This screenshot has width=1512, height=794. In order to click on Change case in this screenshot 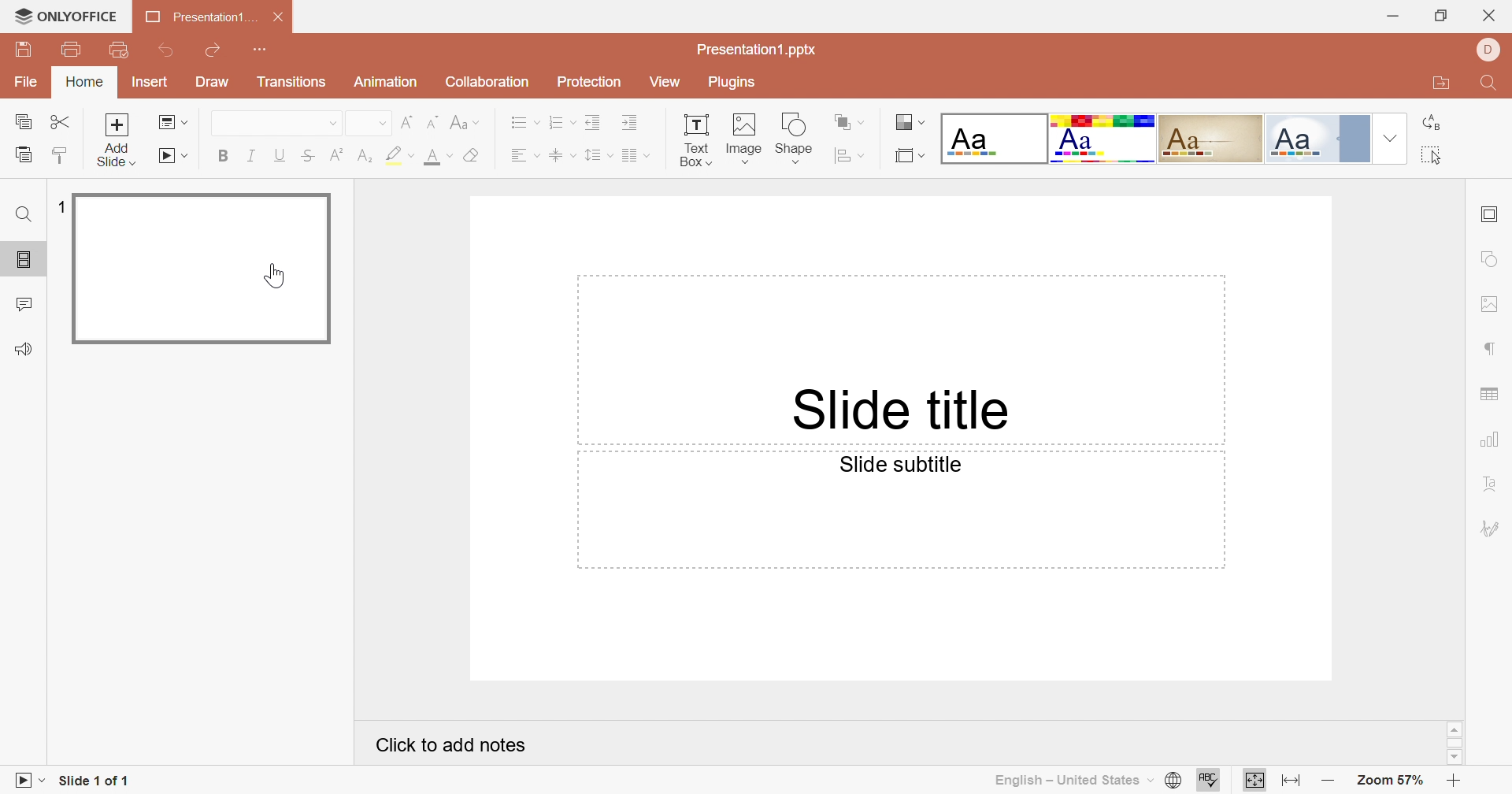, I will do `click(458, 123)`.